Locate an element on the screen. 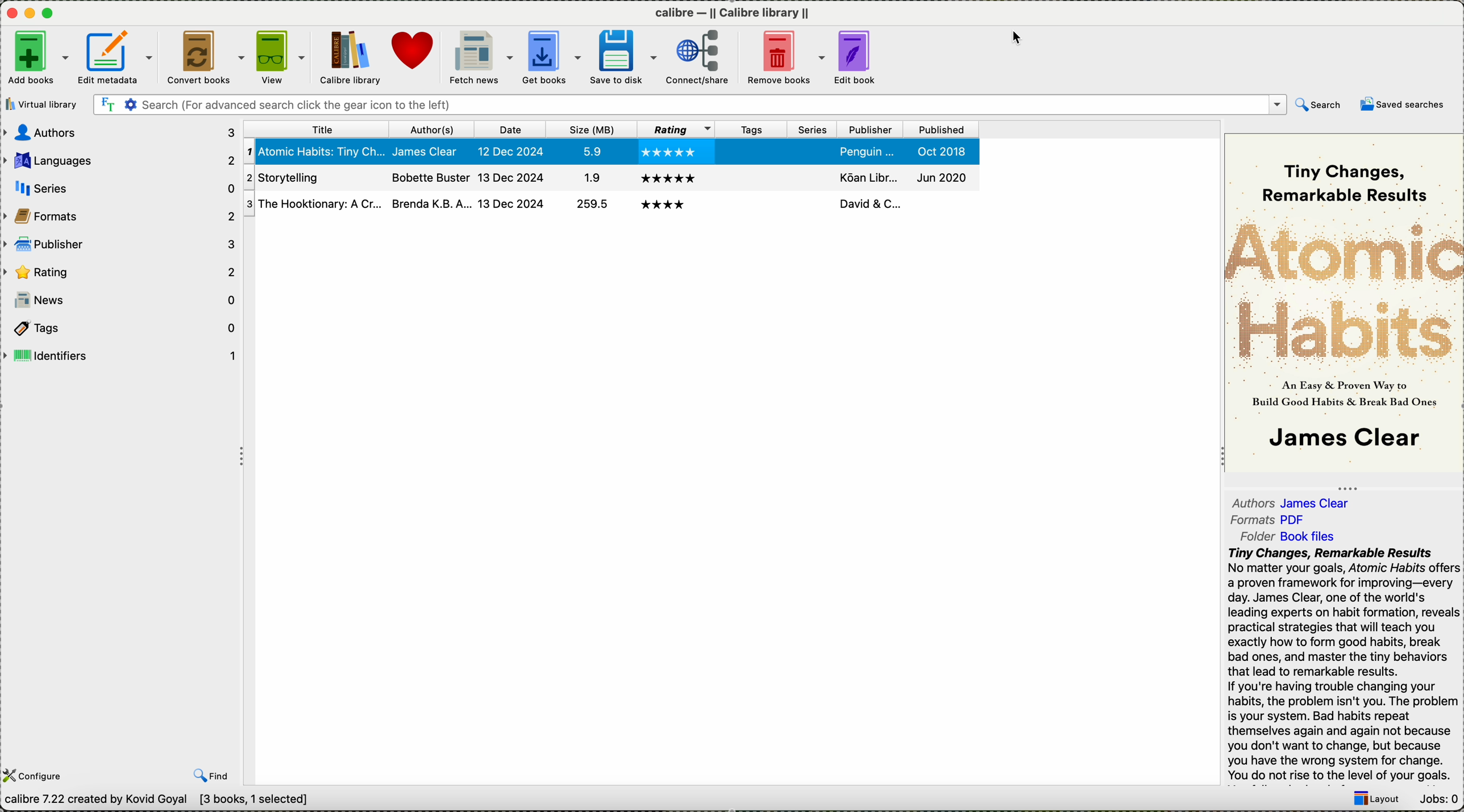 The image size is (1464, 812). languages is located at coordinates (122, 162).